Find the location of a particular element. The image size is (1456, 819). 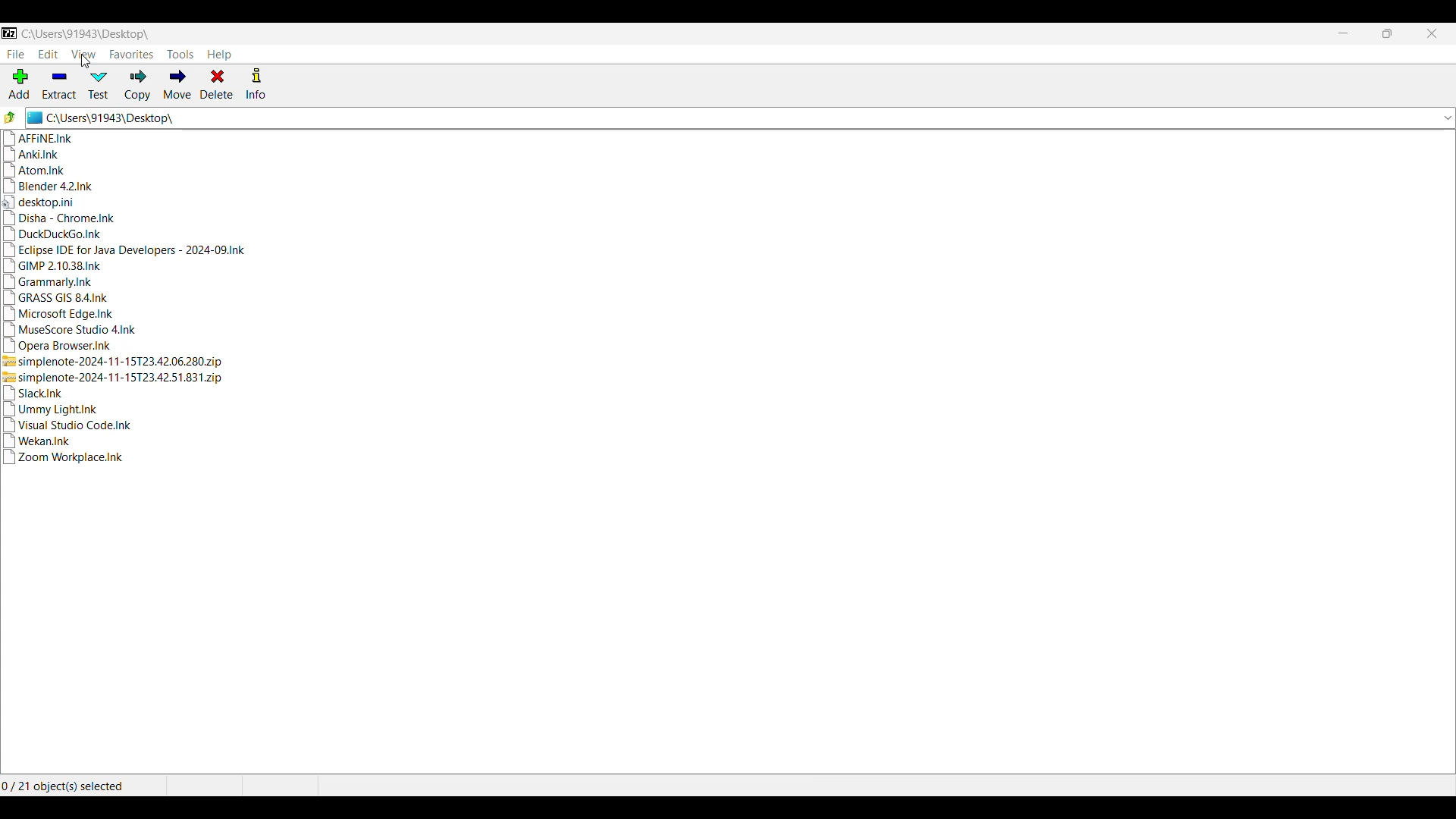

Close is located at coordinates (1432, 33).